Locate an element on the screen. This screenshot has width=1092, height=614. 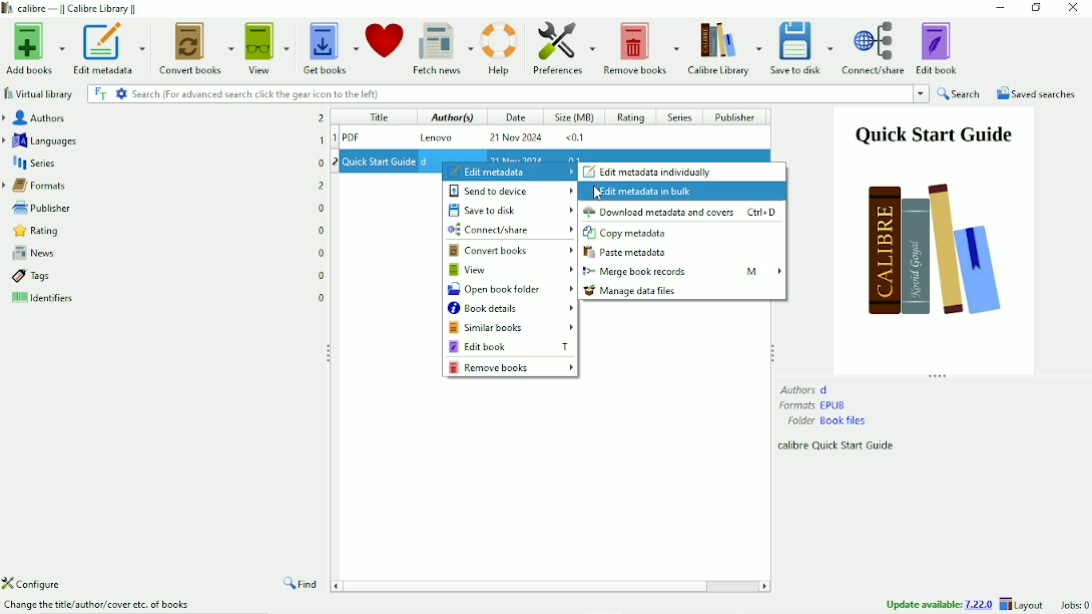
Book preview is located at coordinates (934, 239).